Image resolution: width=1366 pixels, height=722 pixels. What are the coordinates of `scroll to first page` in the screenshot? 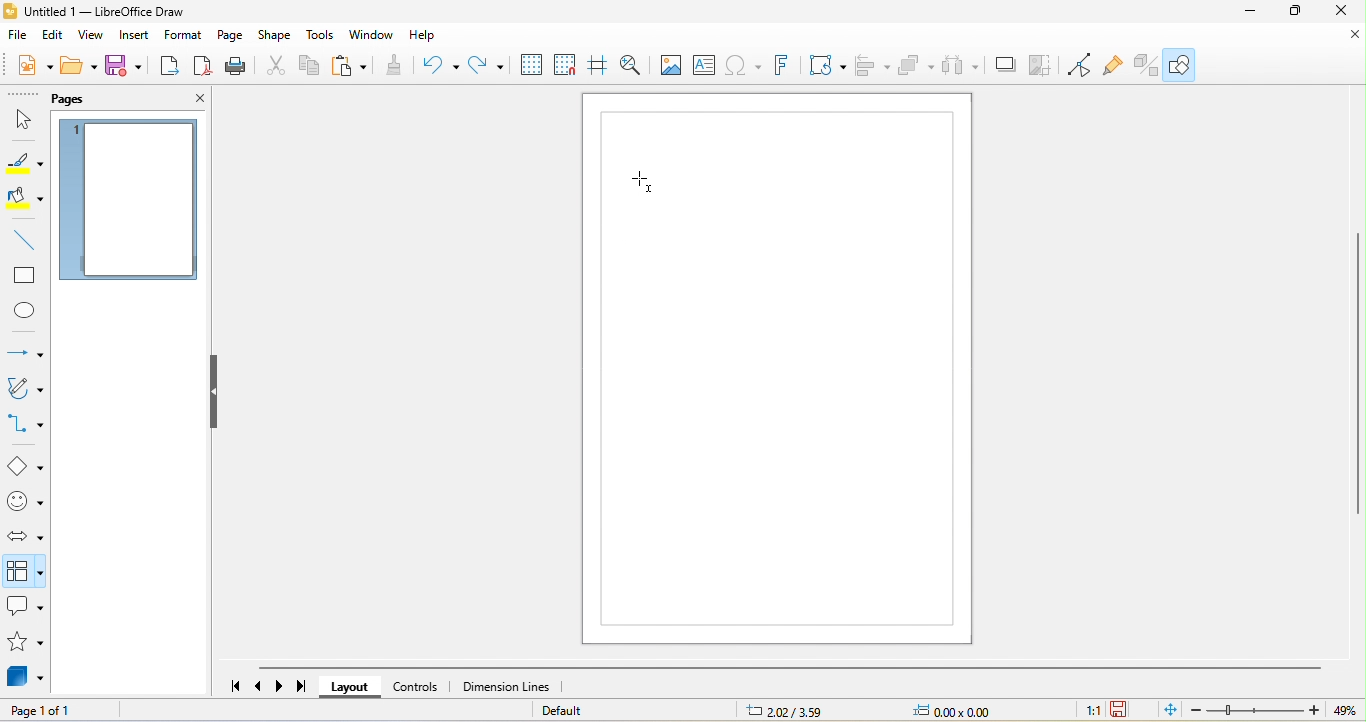 It's located at (233, 687).